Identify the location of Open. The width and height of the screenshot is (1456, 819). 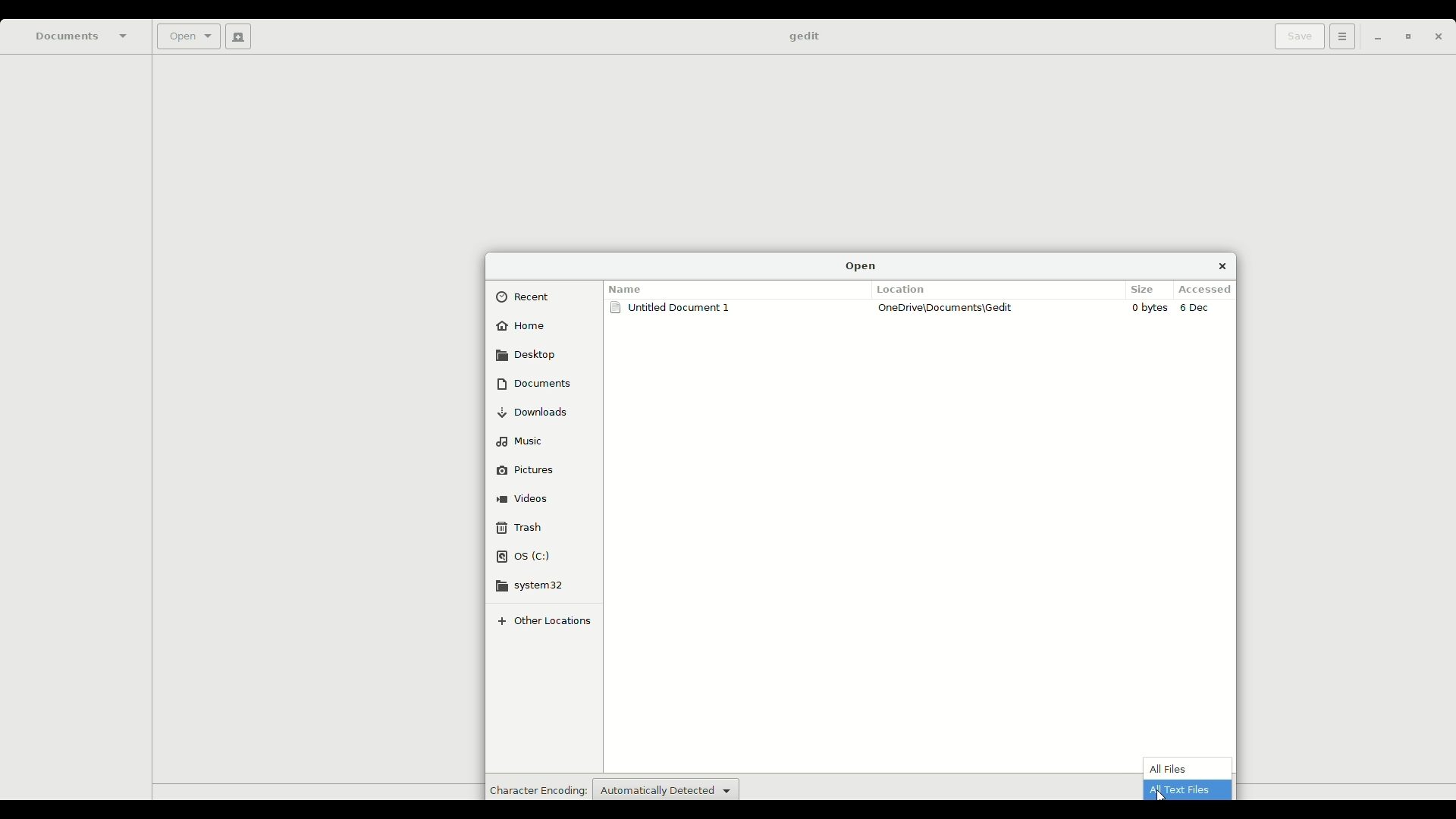
(861, 265).